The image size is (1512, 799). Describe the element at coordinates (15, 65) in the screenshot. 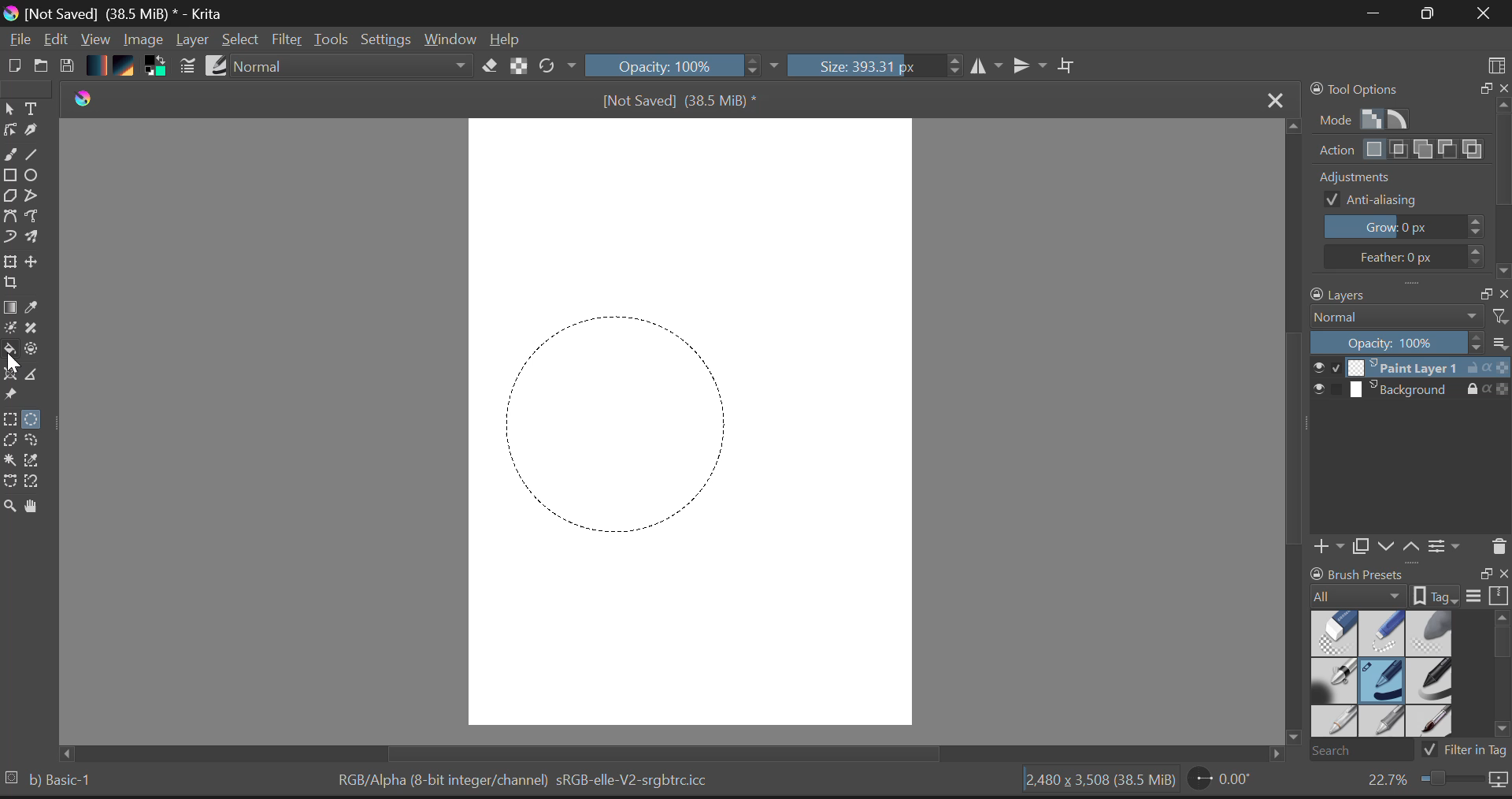

I see `New` at that location.